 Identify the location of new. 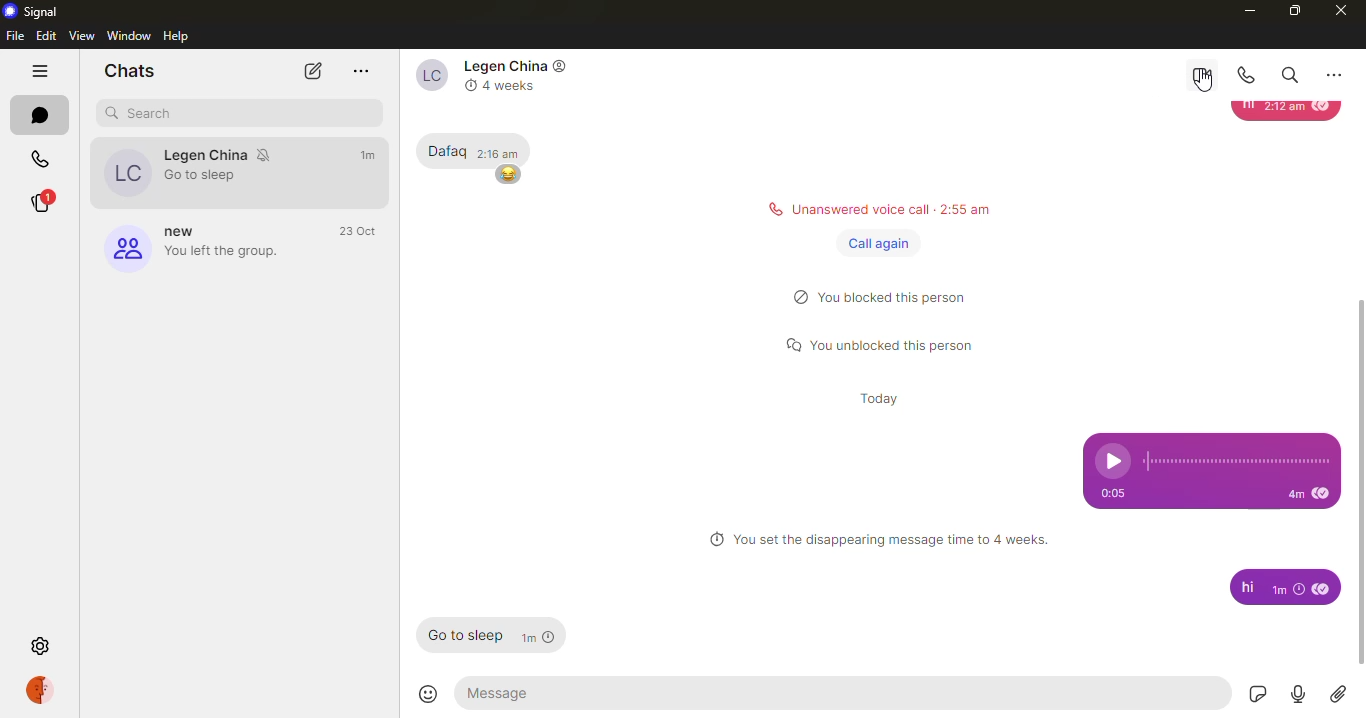
(179, 226).